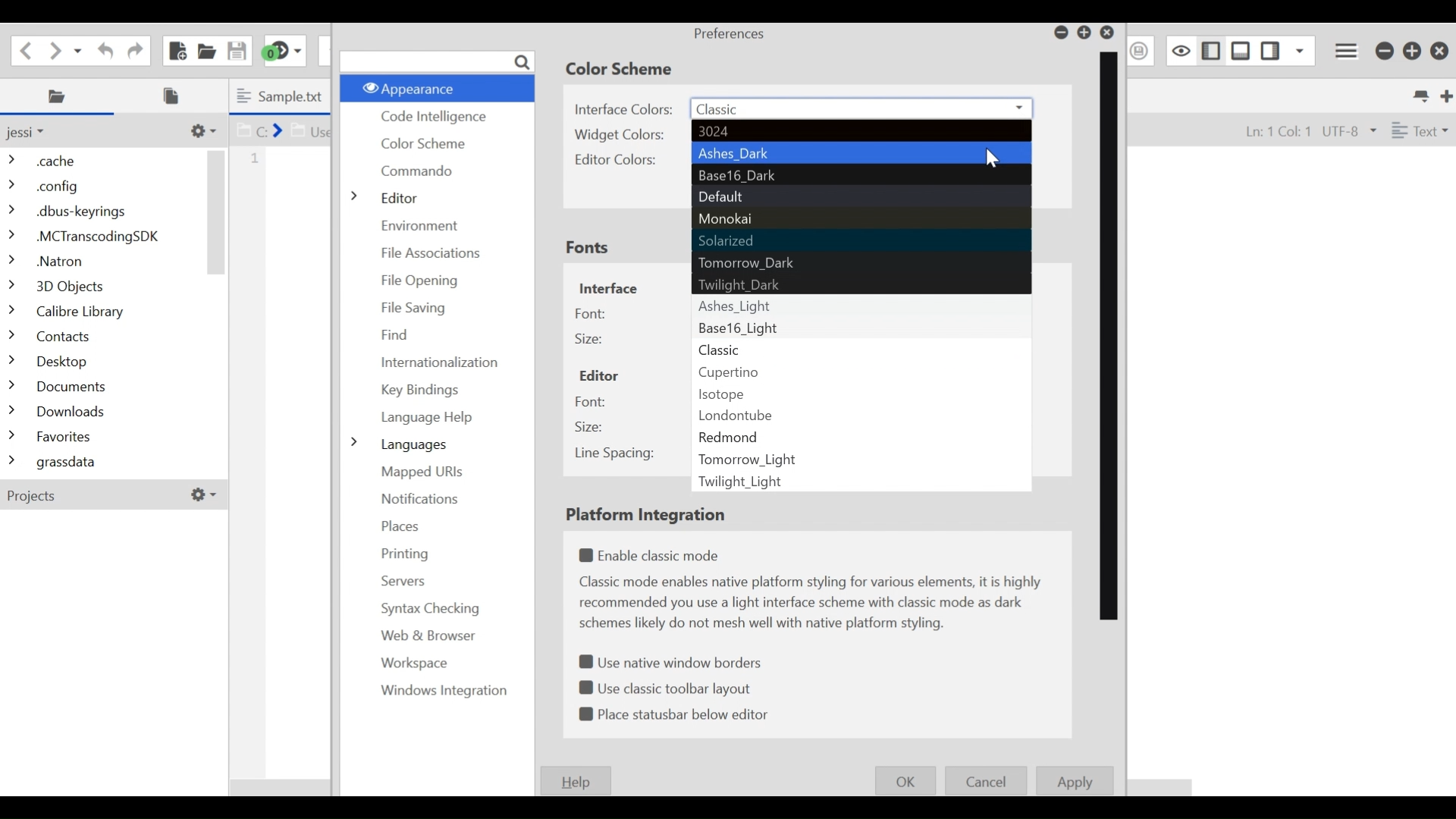 This screenshot has height=819, width=1456. I want to click on Internationalization, so click(442, 362).